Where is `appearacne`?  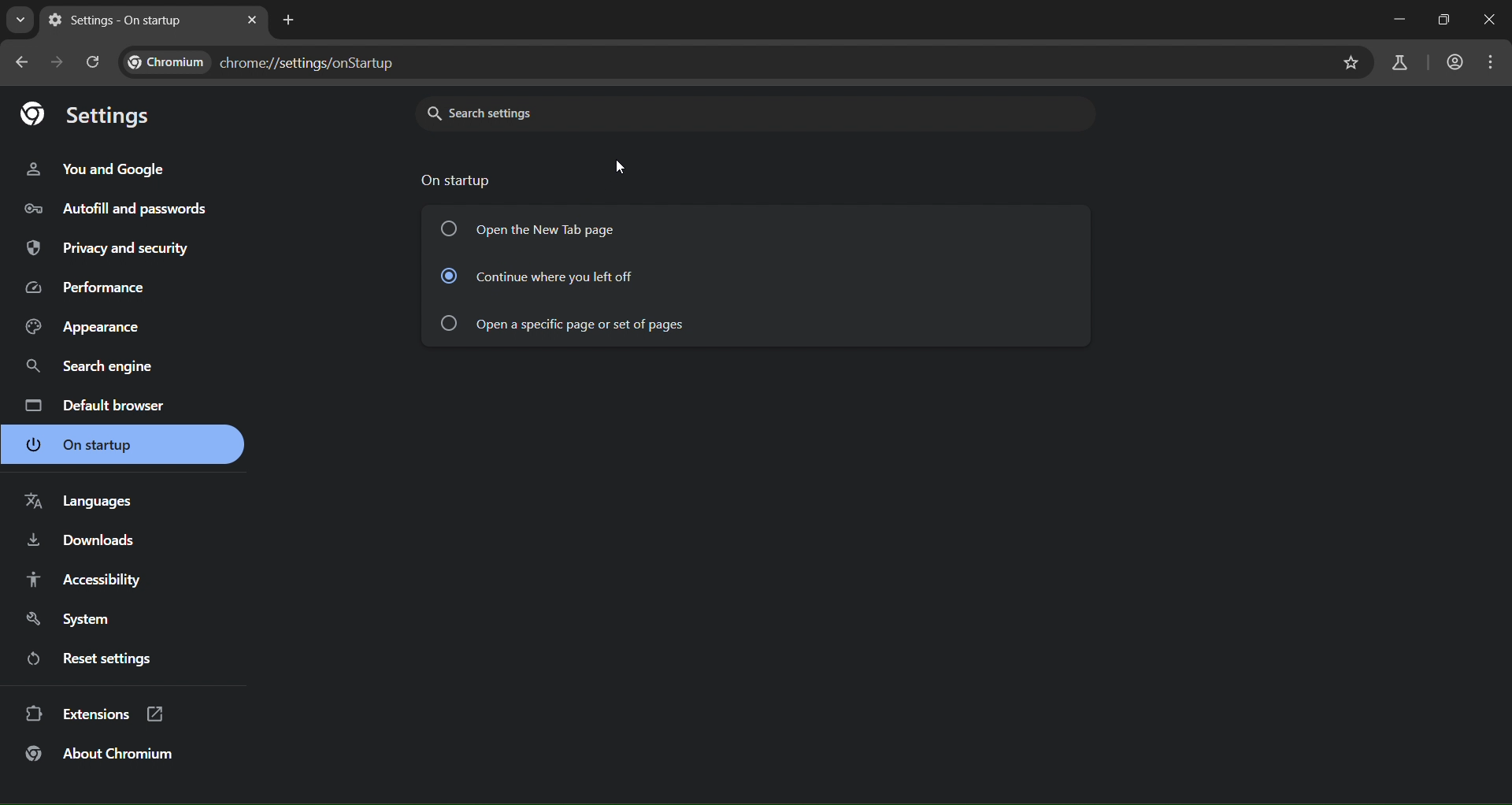
appearacne is located at coordinates (84, 329).